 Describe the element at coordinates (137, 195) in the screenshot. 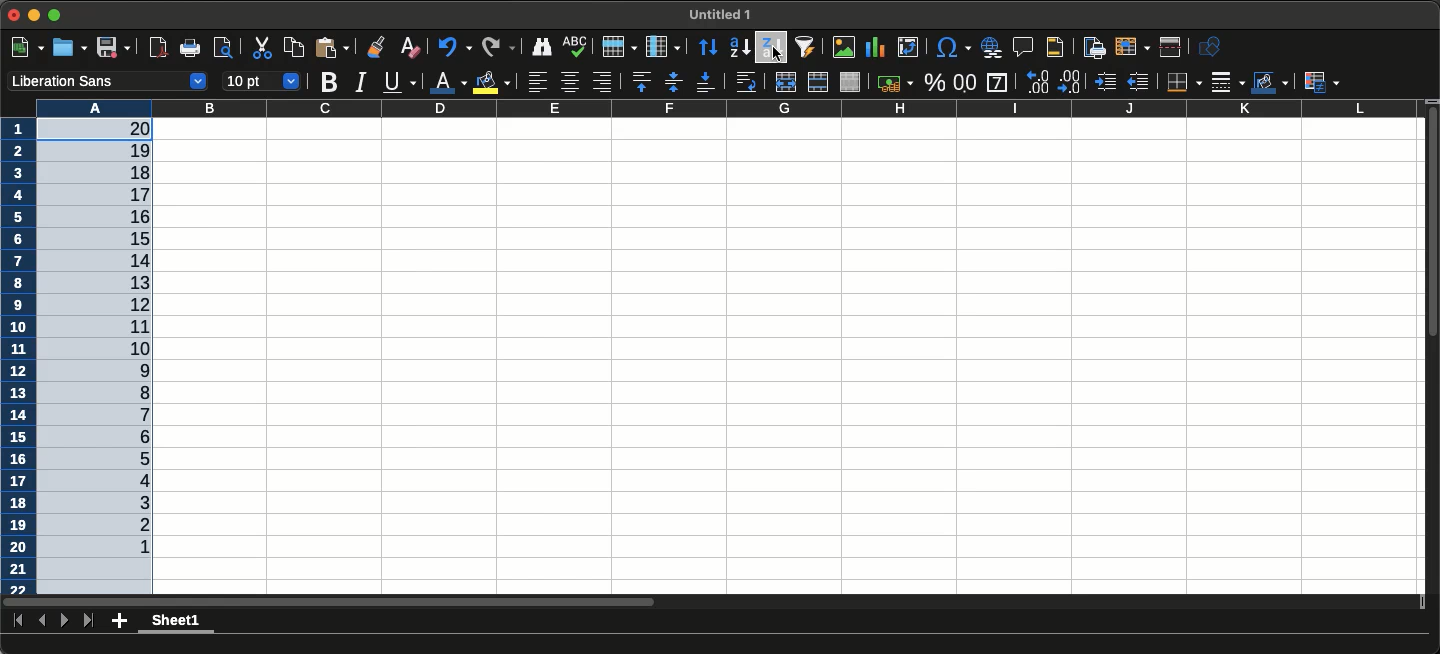

I see `4` at that location.